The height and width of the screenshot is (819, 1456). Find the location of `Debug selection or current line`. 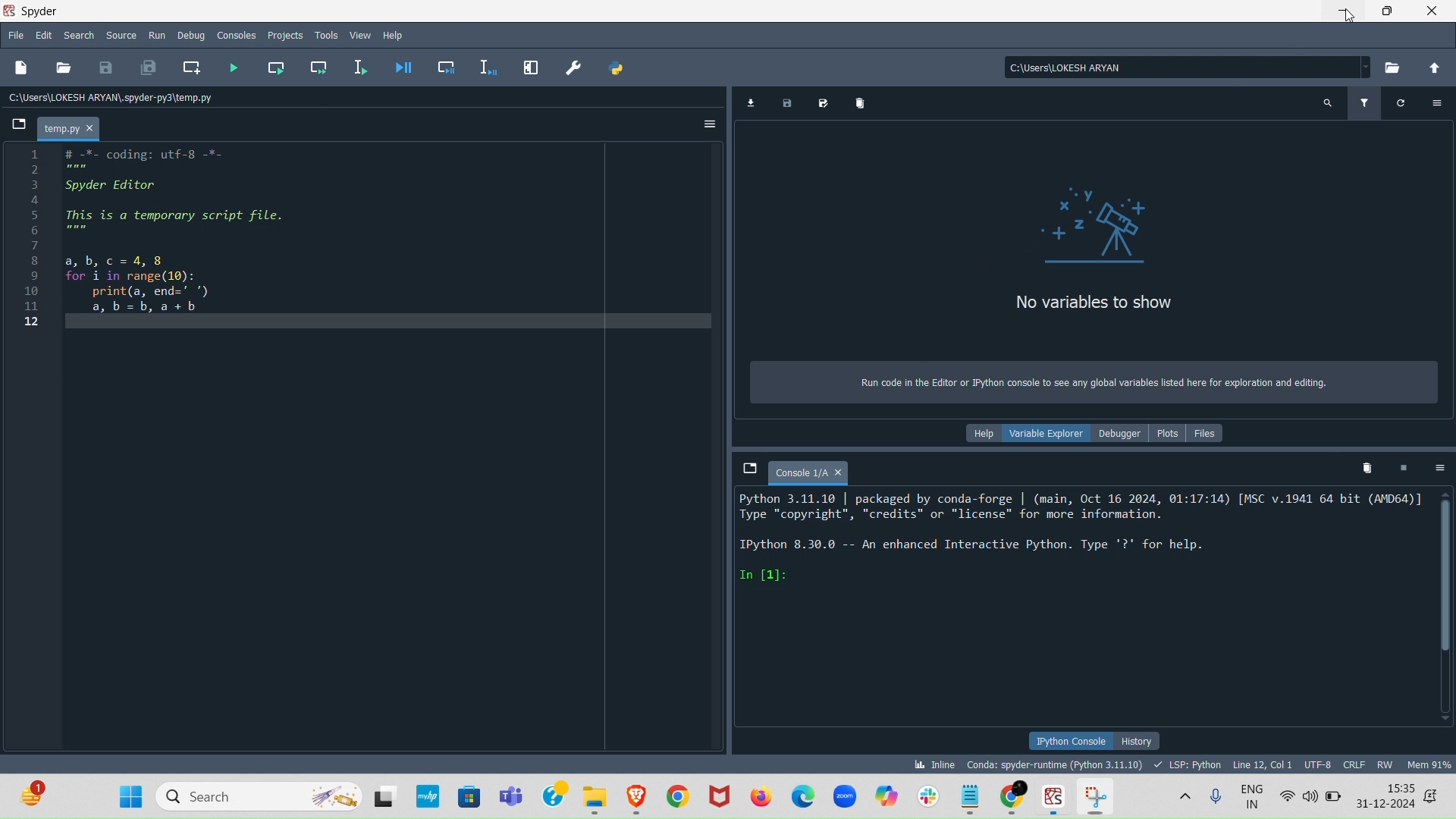

Debug selection or current line is located at coordinates (491, 64).